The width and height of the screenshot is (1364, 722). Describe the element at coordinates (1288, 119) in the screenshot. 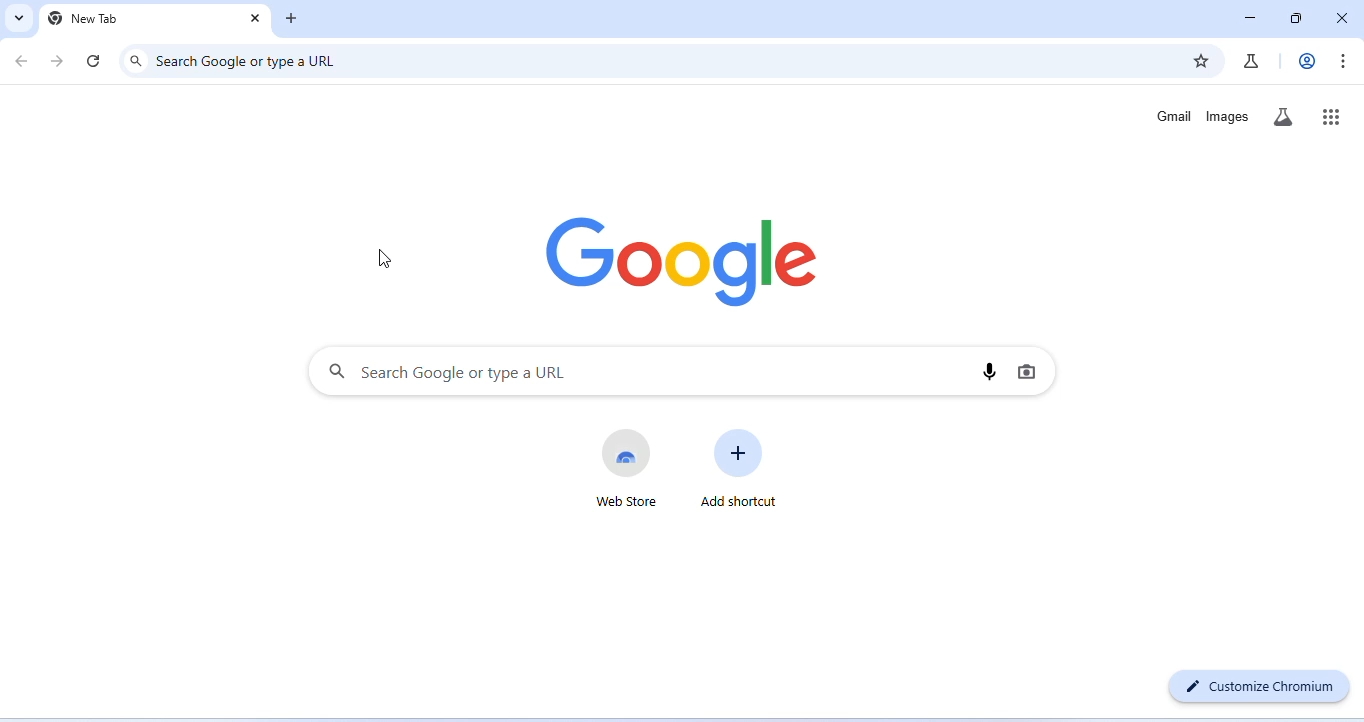

I see `search labs` at that location.